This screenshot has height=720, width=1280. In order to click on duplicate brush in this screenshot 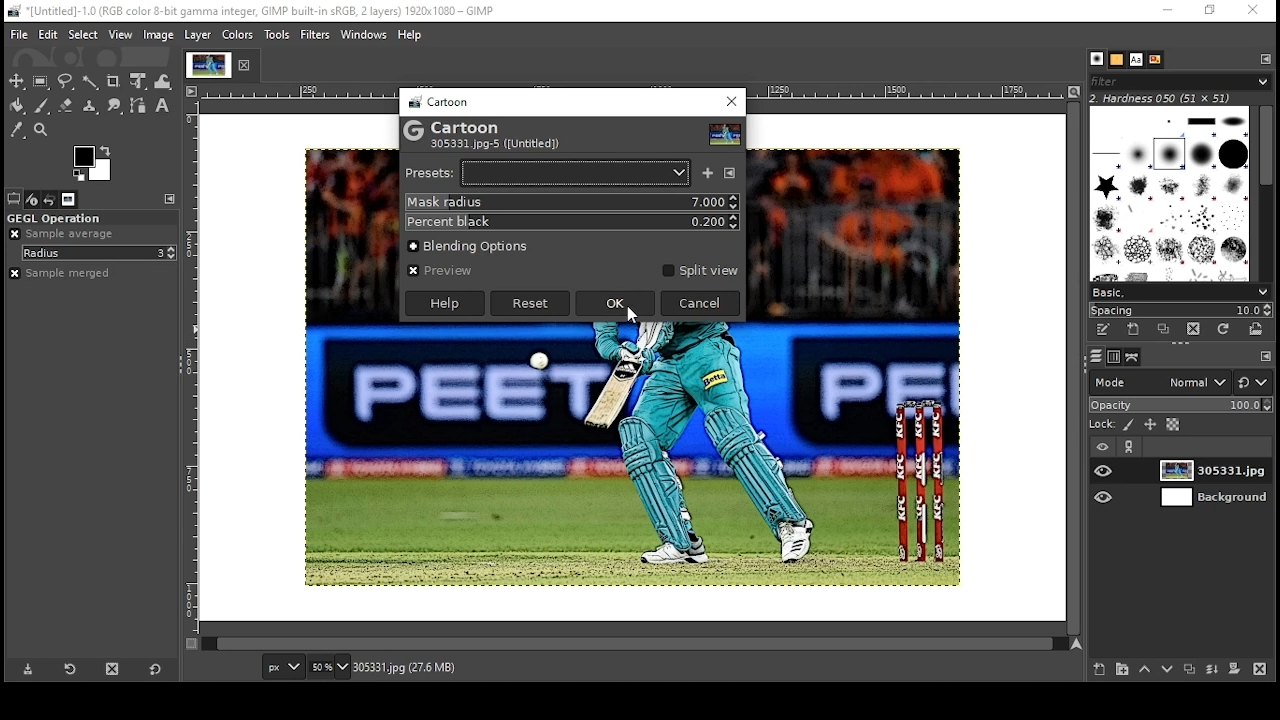, I will do `click(1164, 330)`.